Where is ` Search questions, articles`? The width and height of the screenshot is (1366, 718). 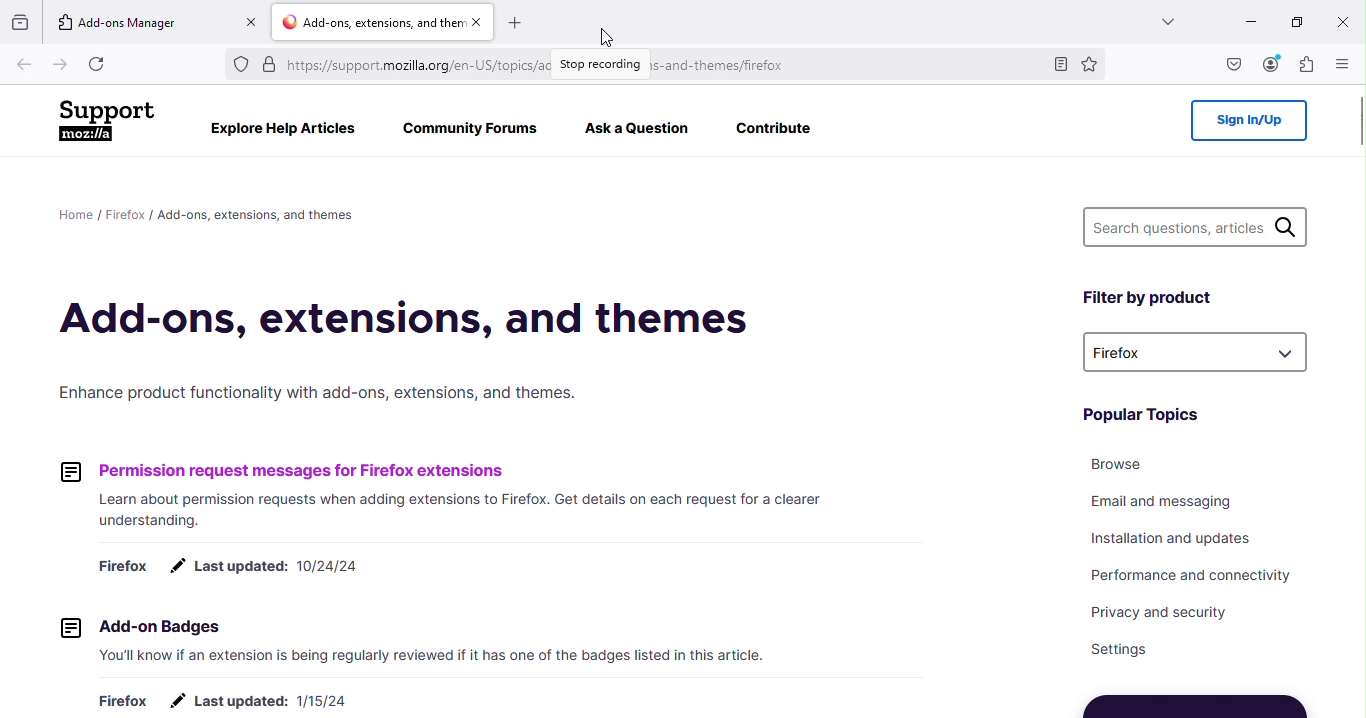
 Search questions, articles is located at coordinates (1194, 226).